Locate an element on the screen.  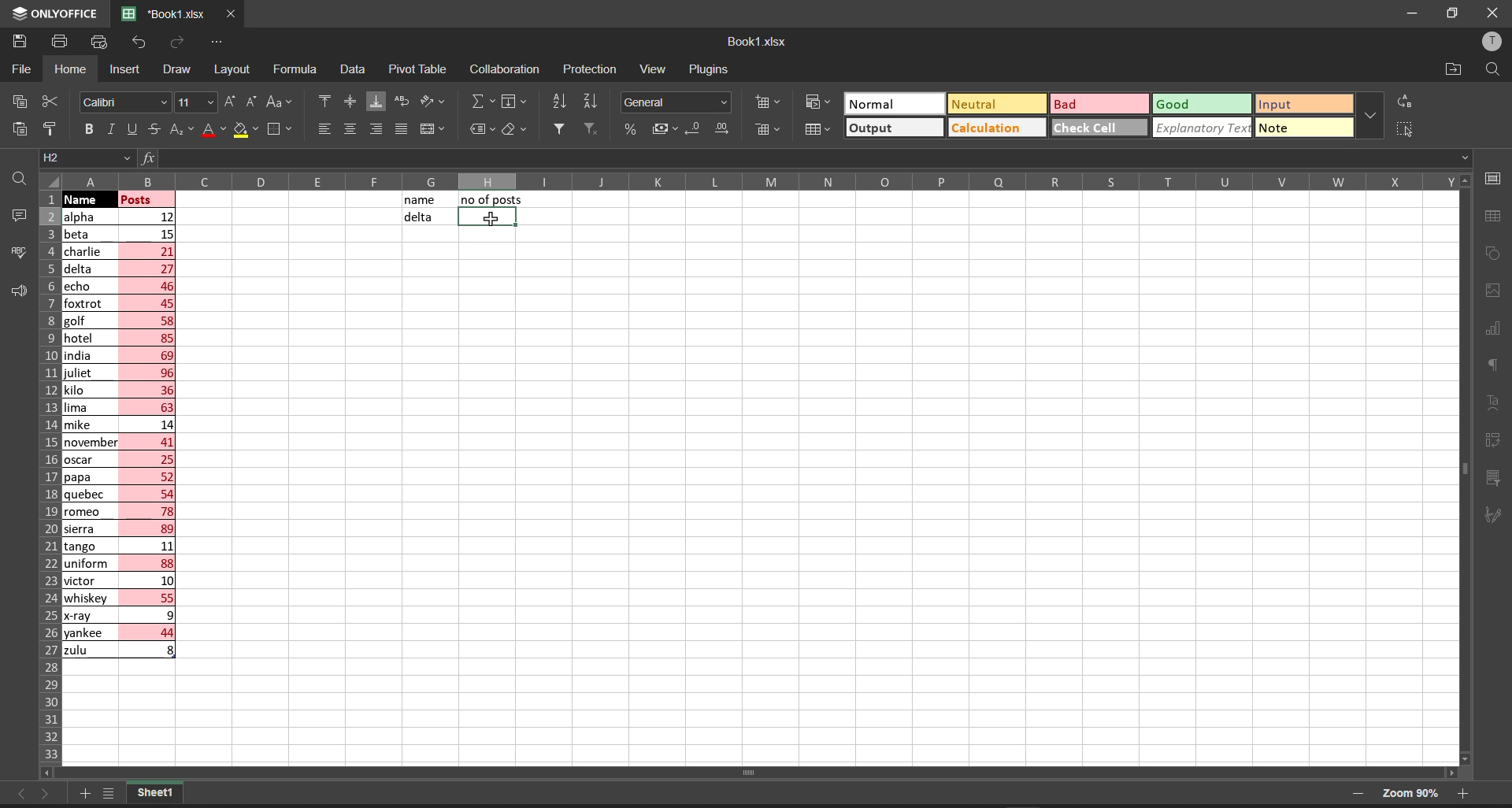
wrap text is located at coordinates (406, 103).